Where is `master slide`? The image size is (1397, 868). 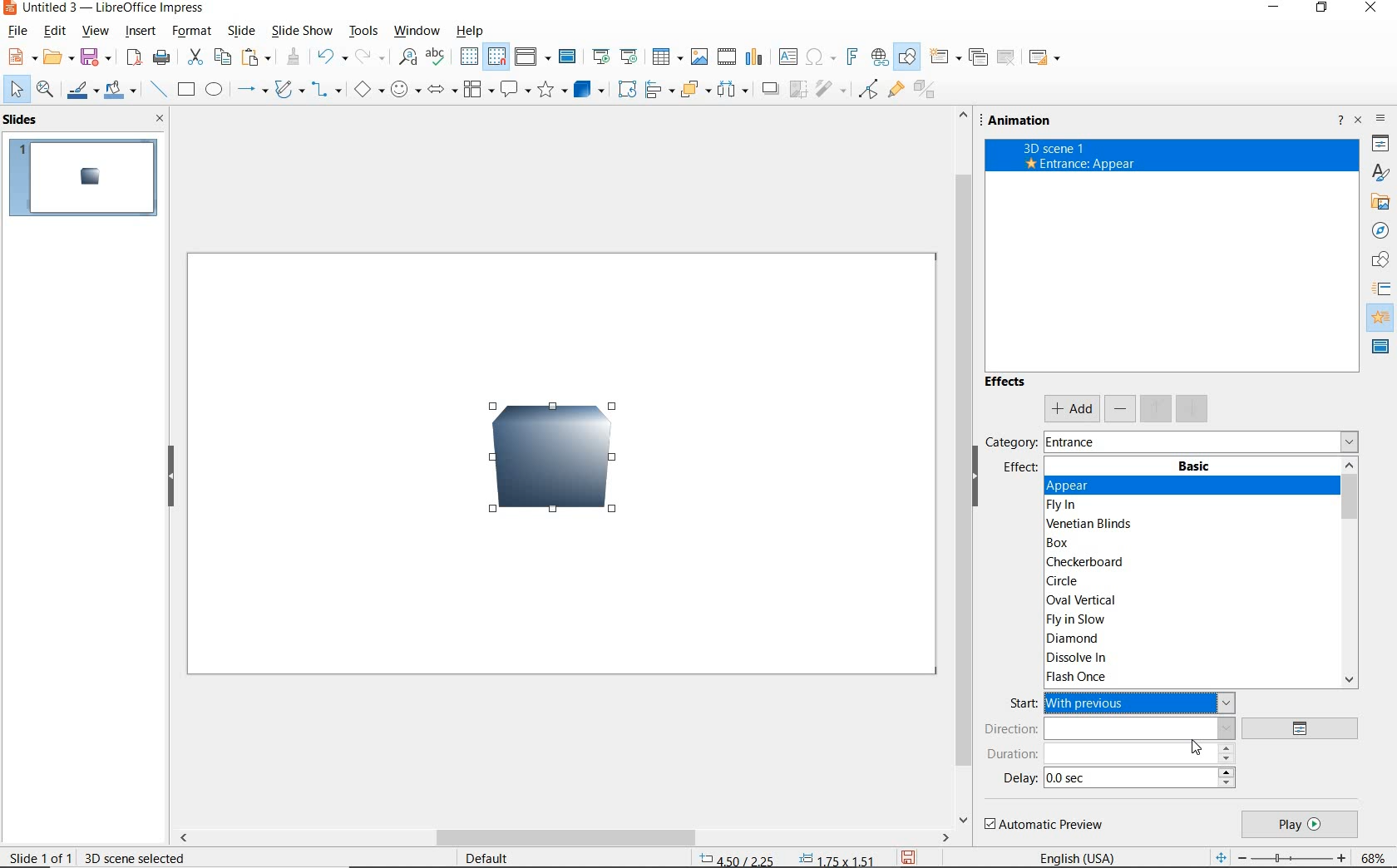 master slide is located at coordinates (570, 57).